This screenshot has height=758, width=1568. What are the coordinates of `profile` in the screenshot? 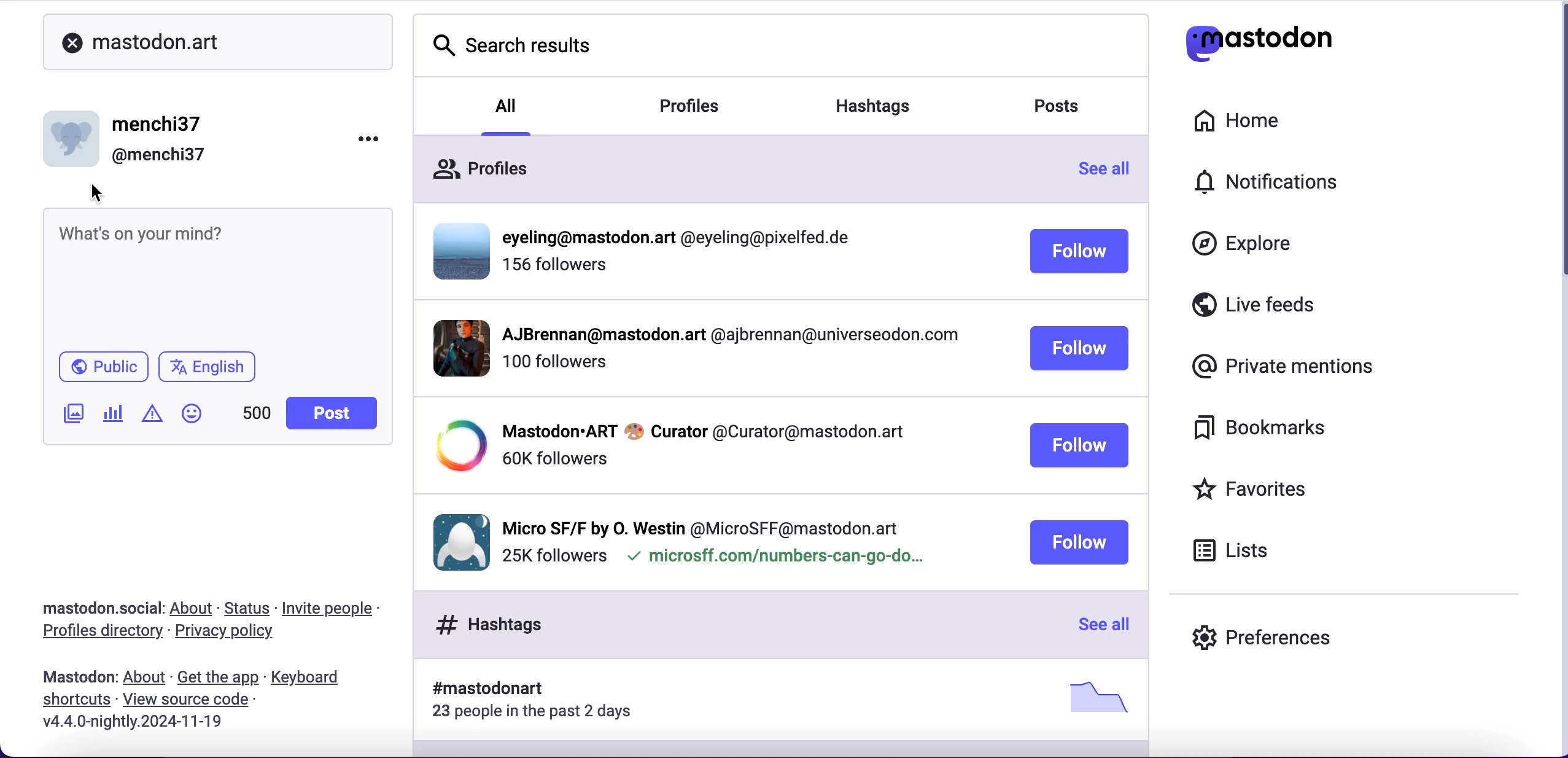 It's located at (642, 251).